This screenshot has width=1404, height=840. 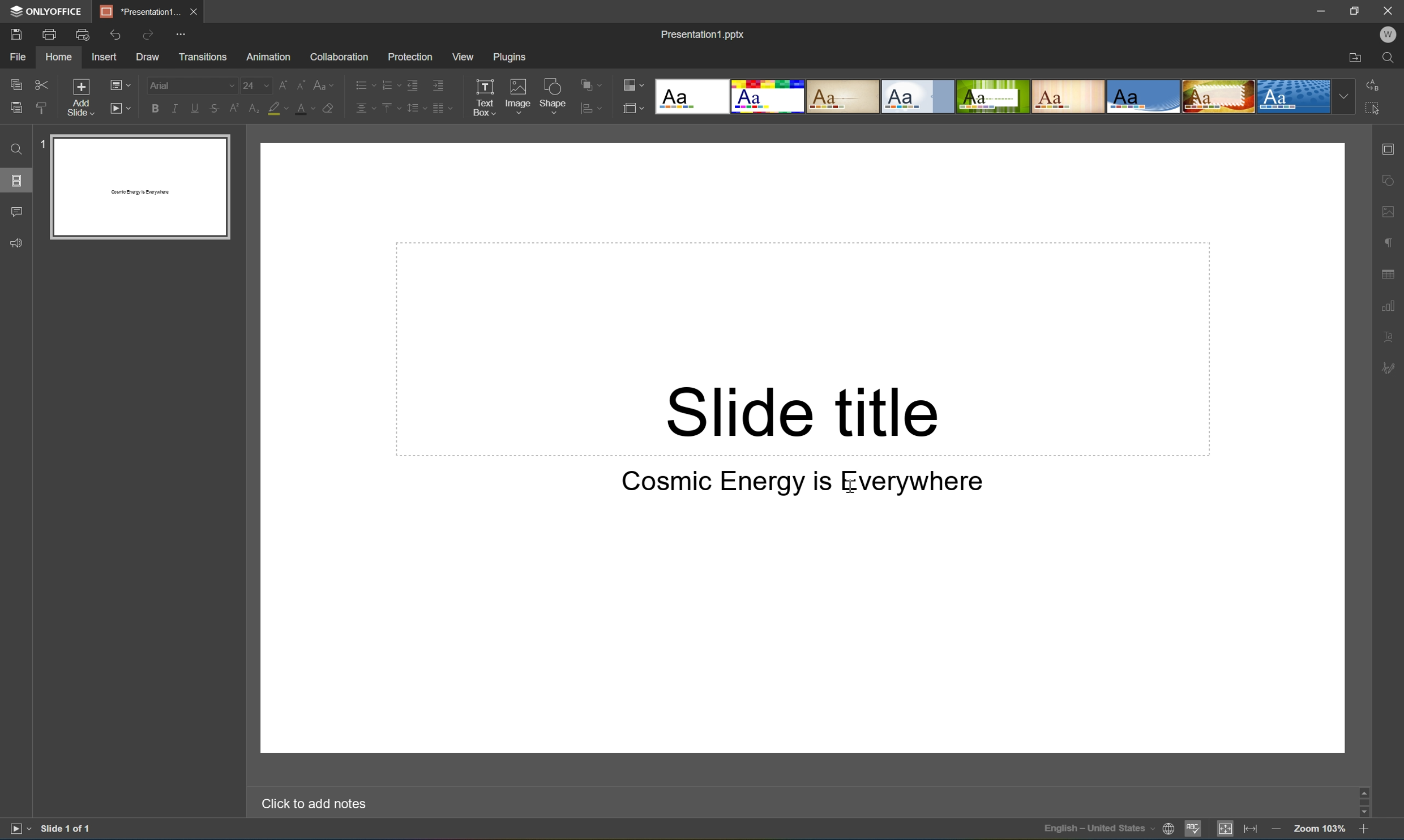 What do you see at coordinates (339, 55) in the screenshot?
I see `Collaboration` at bounding box center [339, 55].